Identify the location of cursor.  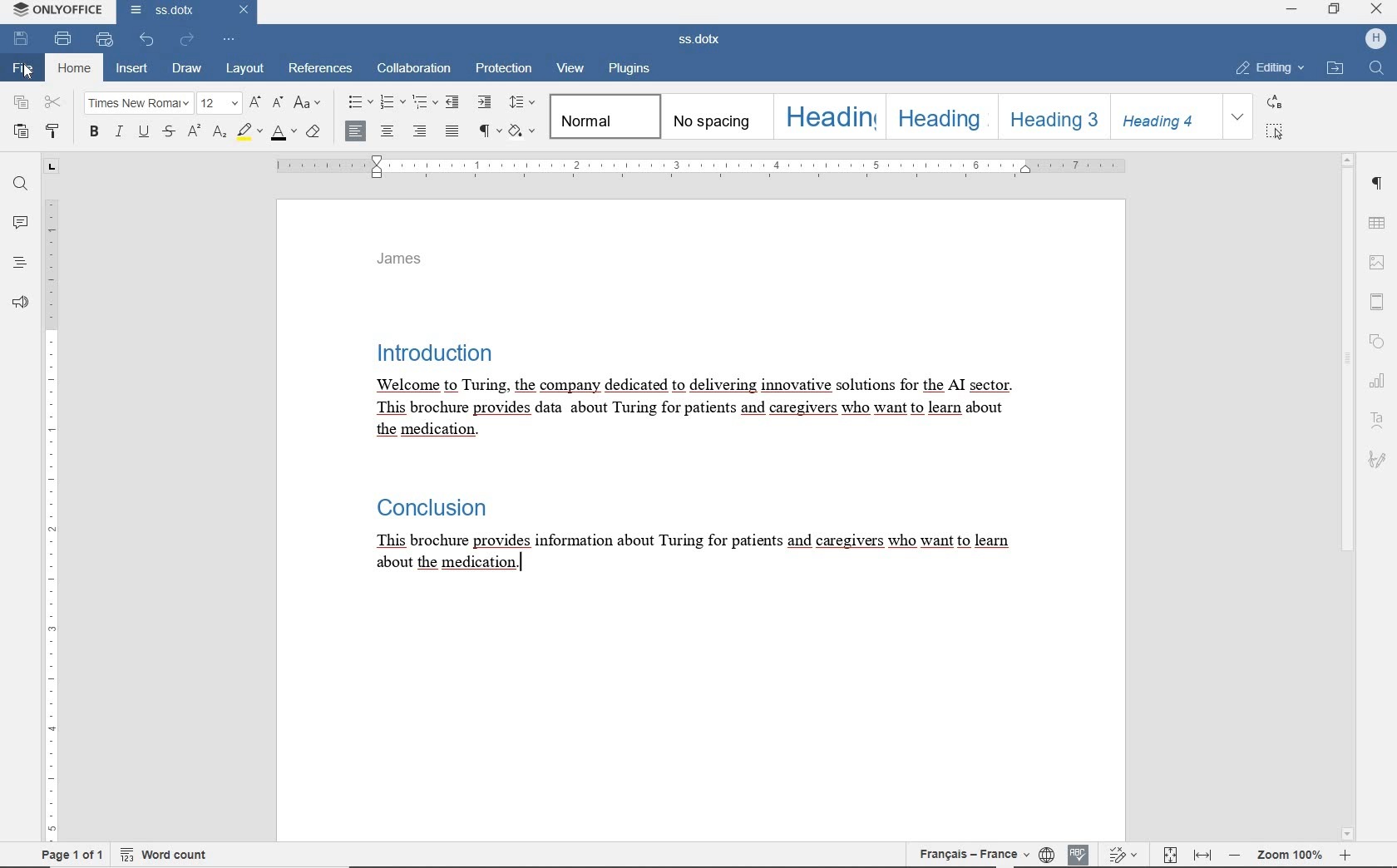
(27, 72).